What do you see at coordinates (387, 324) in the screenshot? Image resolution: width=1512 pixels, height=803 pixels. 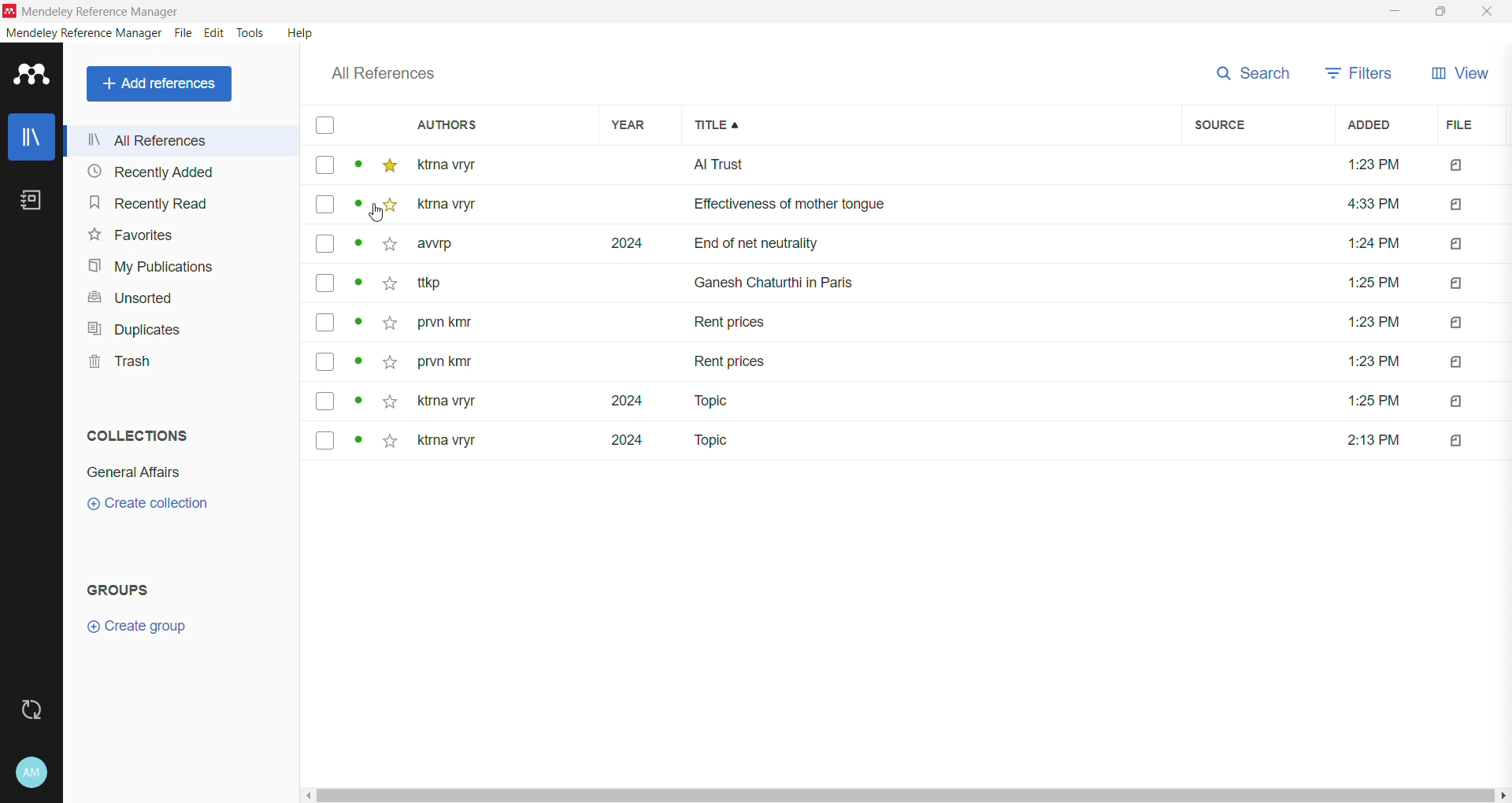 I see `star` at bounding box center [387, 324].